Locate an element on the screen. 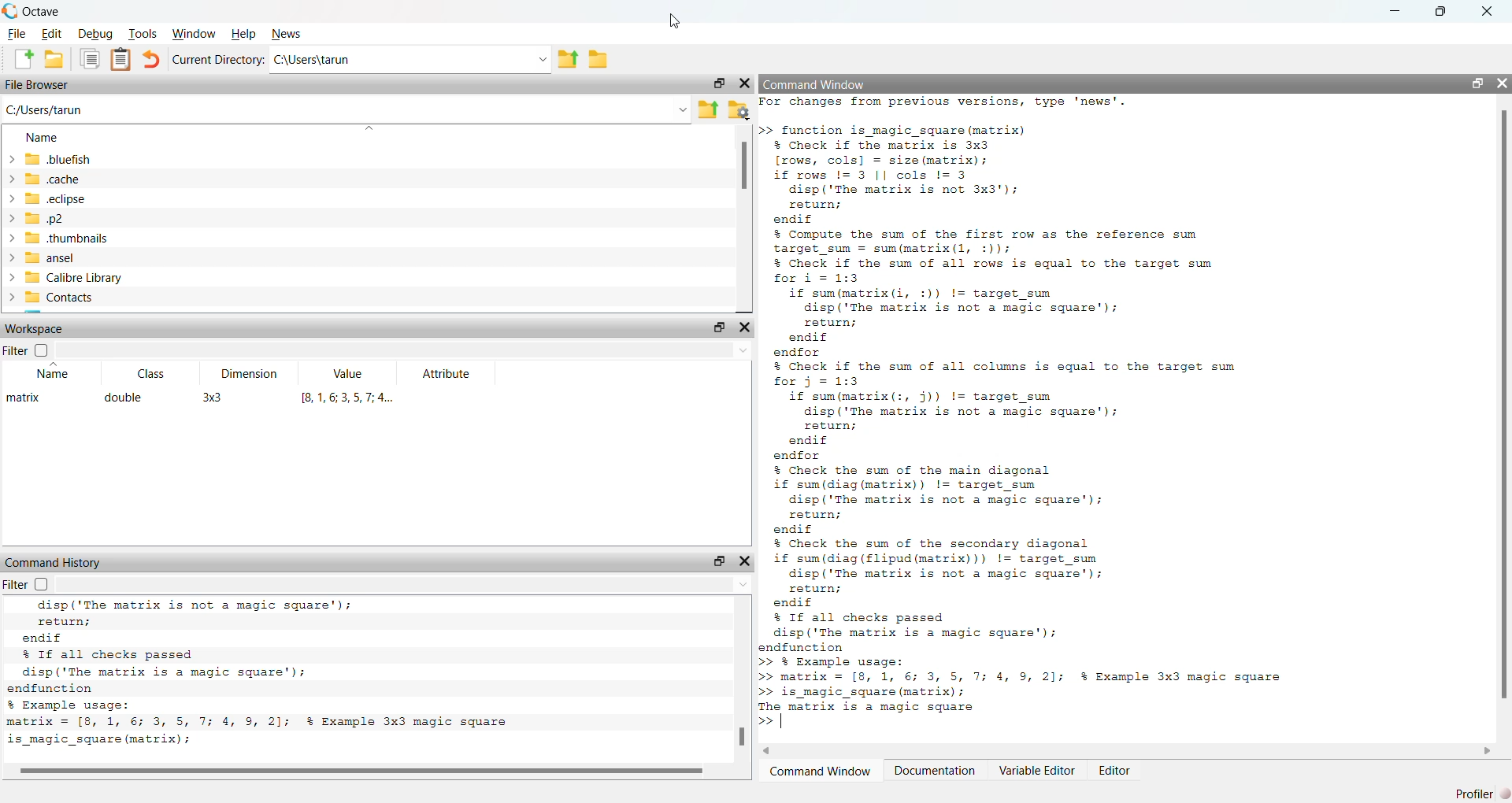 This screenshot has height=803, width=1512. Duplicate is located at coordinates (91, 60).